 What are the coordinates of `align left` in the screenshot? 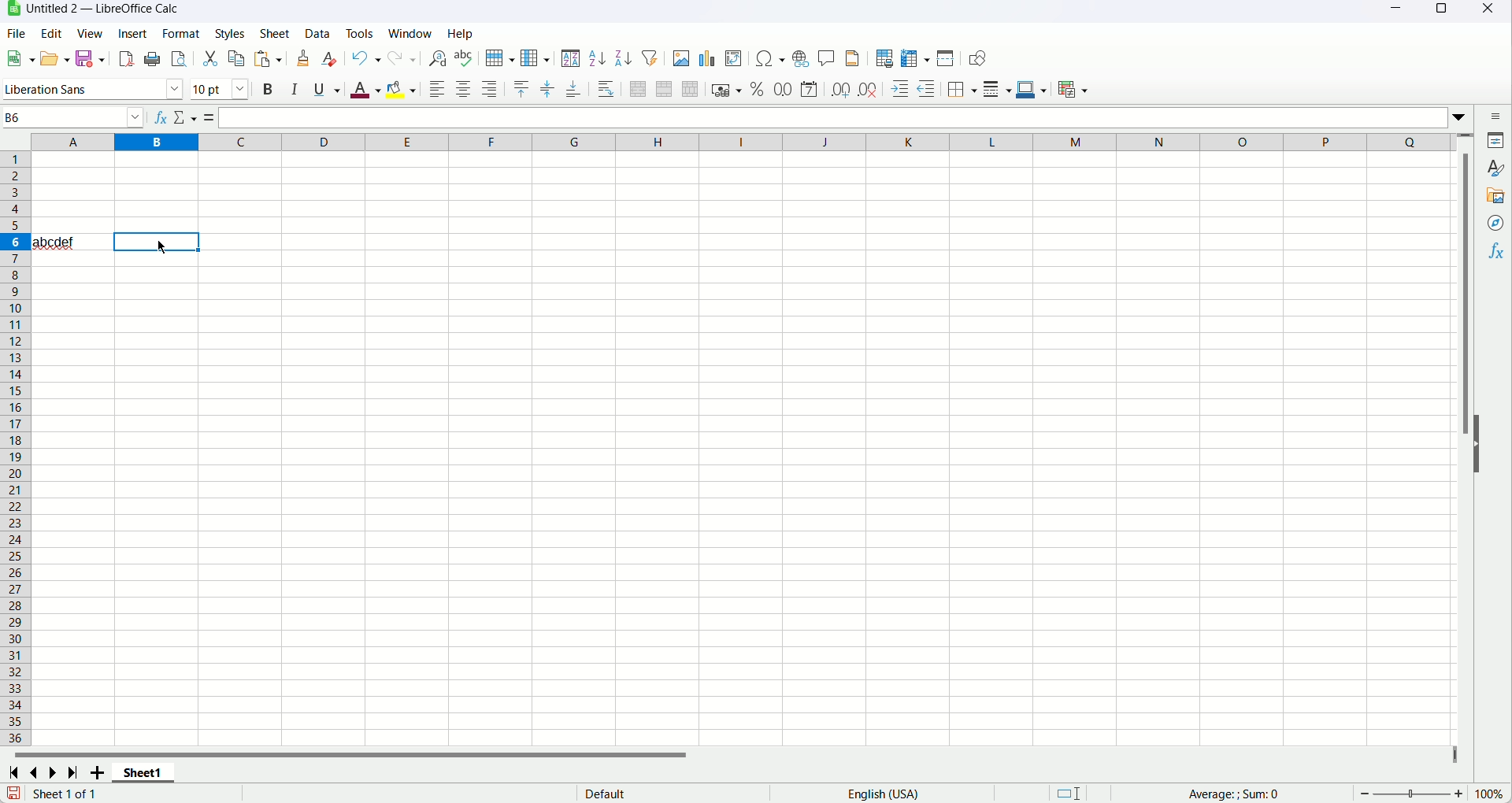 It's located at (436, 88).